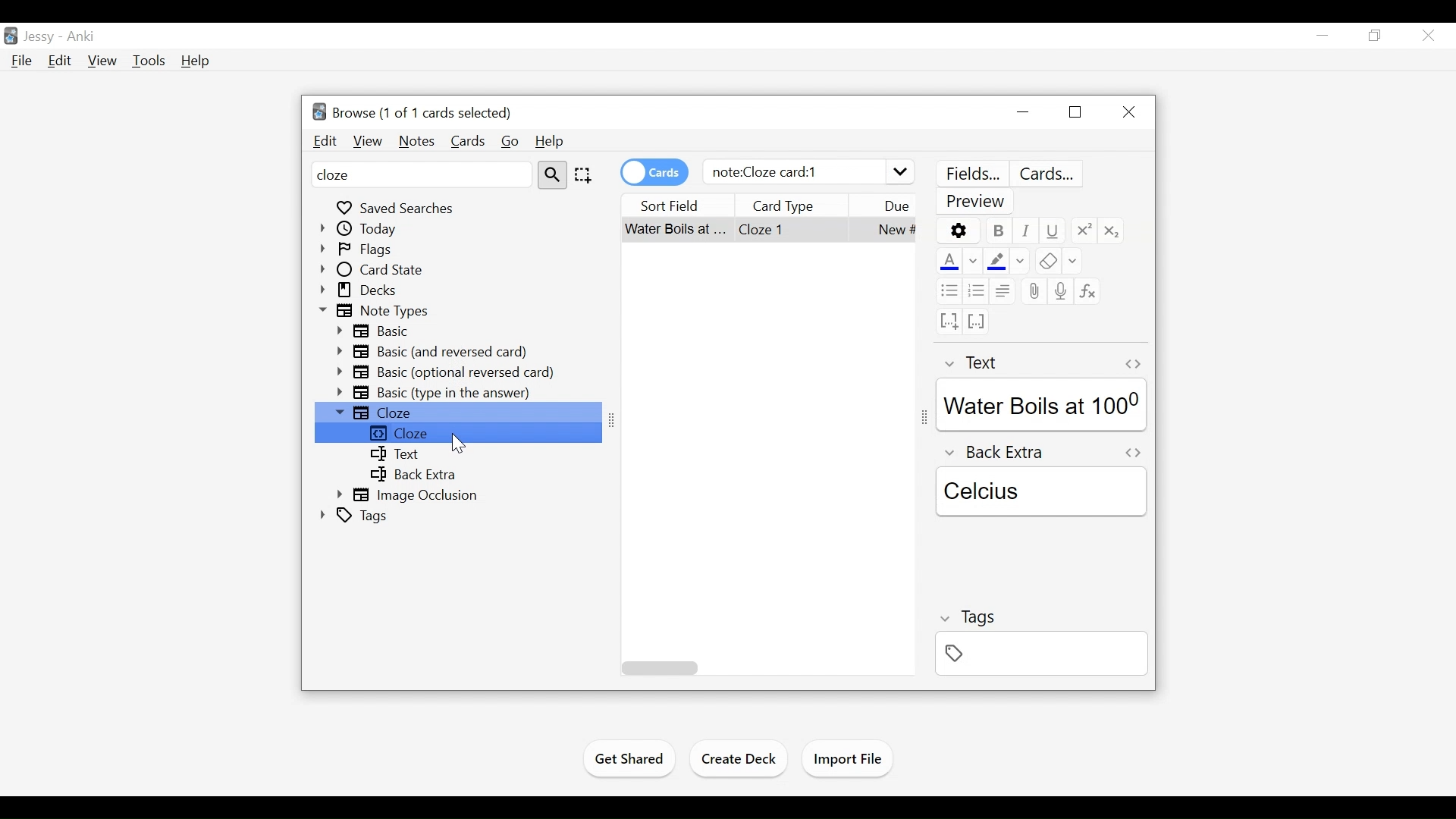 Image resolution: width=1456 pixels, height=819 pixels. What do you see at coordinates (468, 140) in the screenshot?
I see `Cards` at bounding box center [468, 140].